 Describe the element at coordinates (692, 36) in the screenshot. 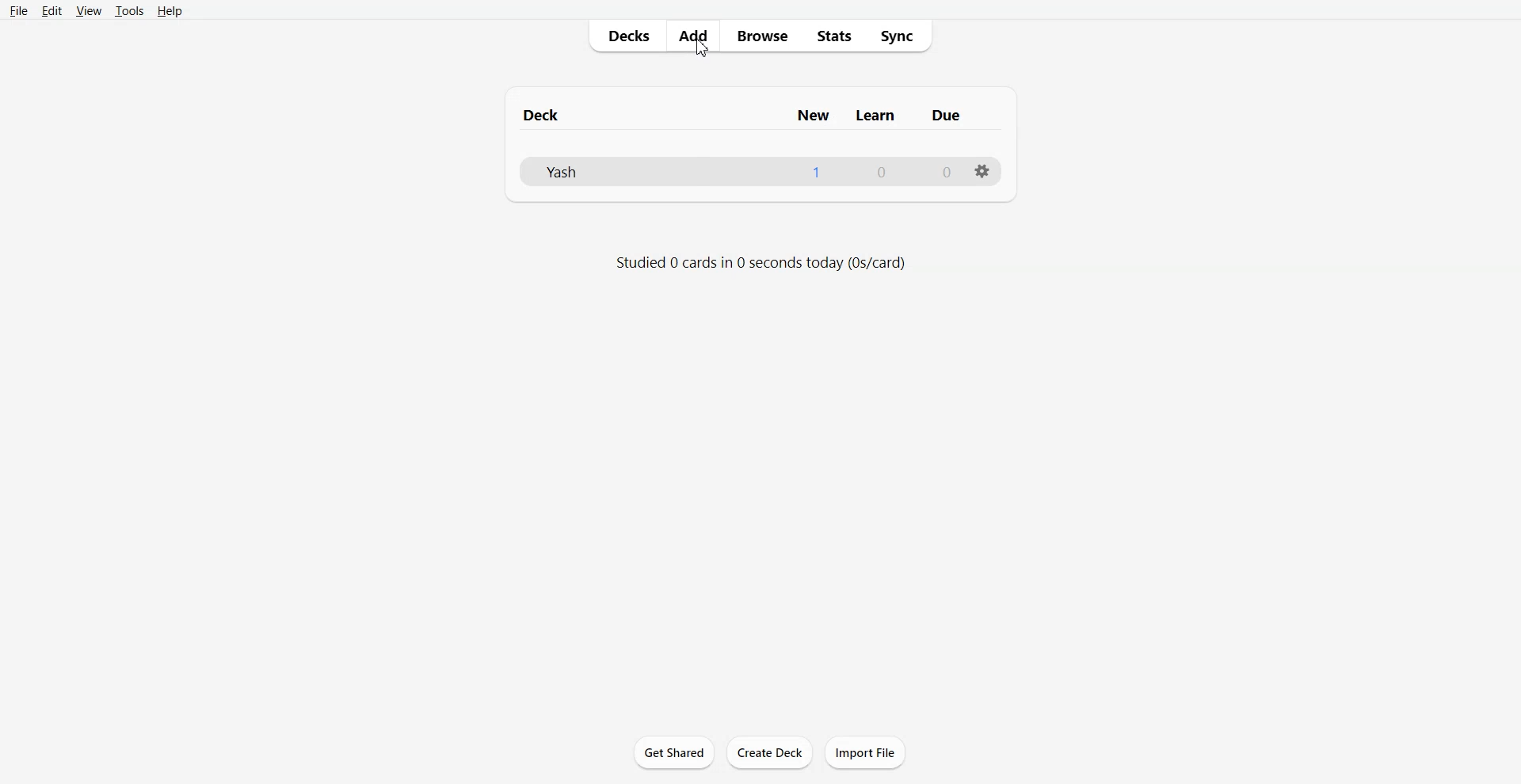

I see `Add` at that location.